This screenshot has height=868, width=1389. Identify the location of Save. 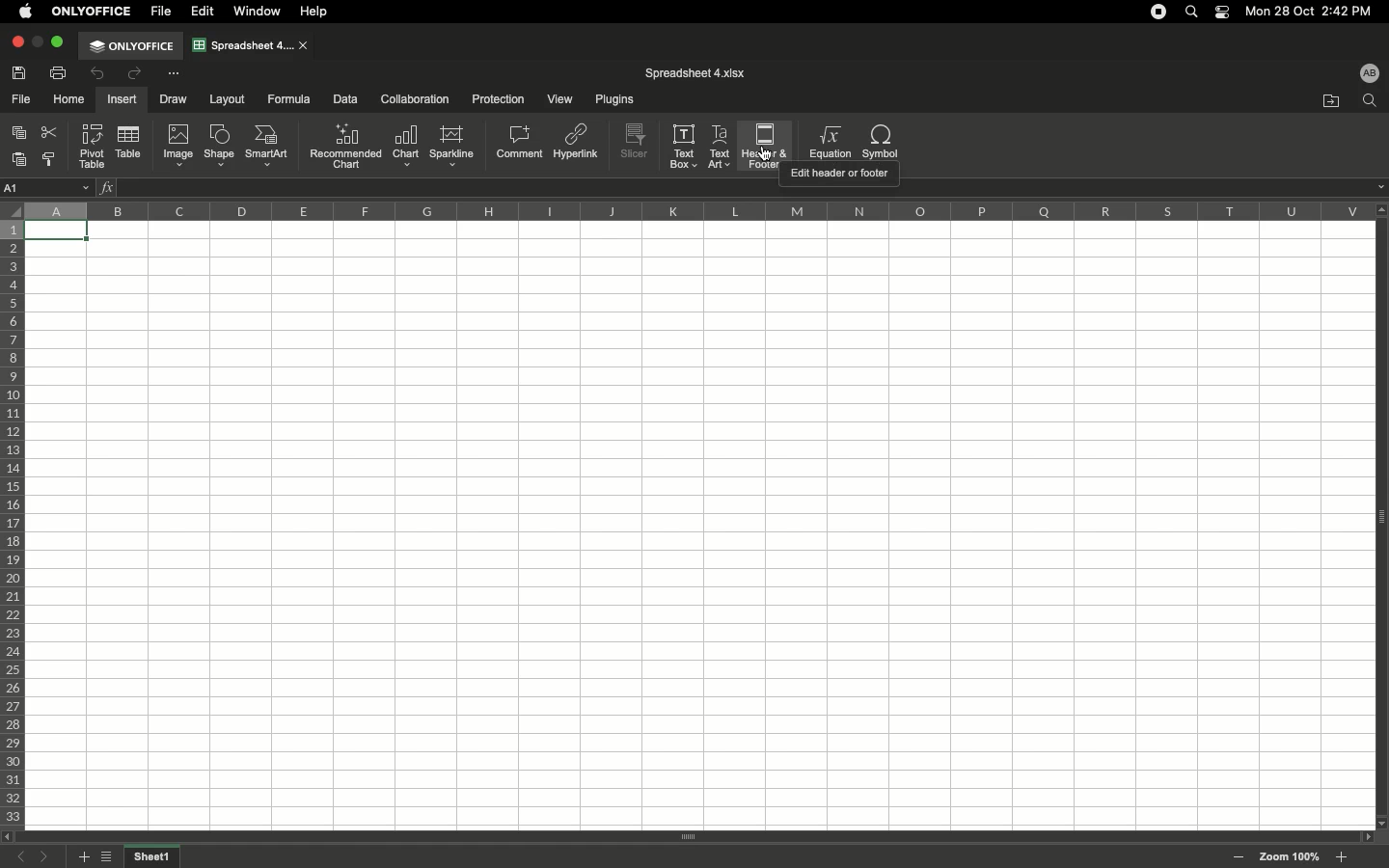
(22, 72).